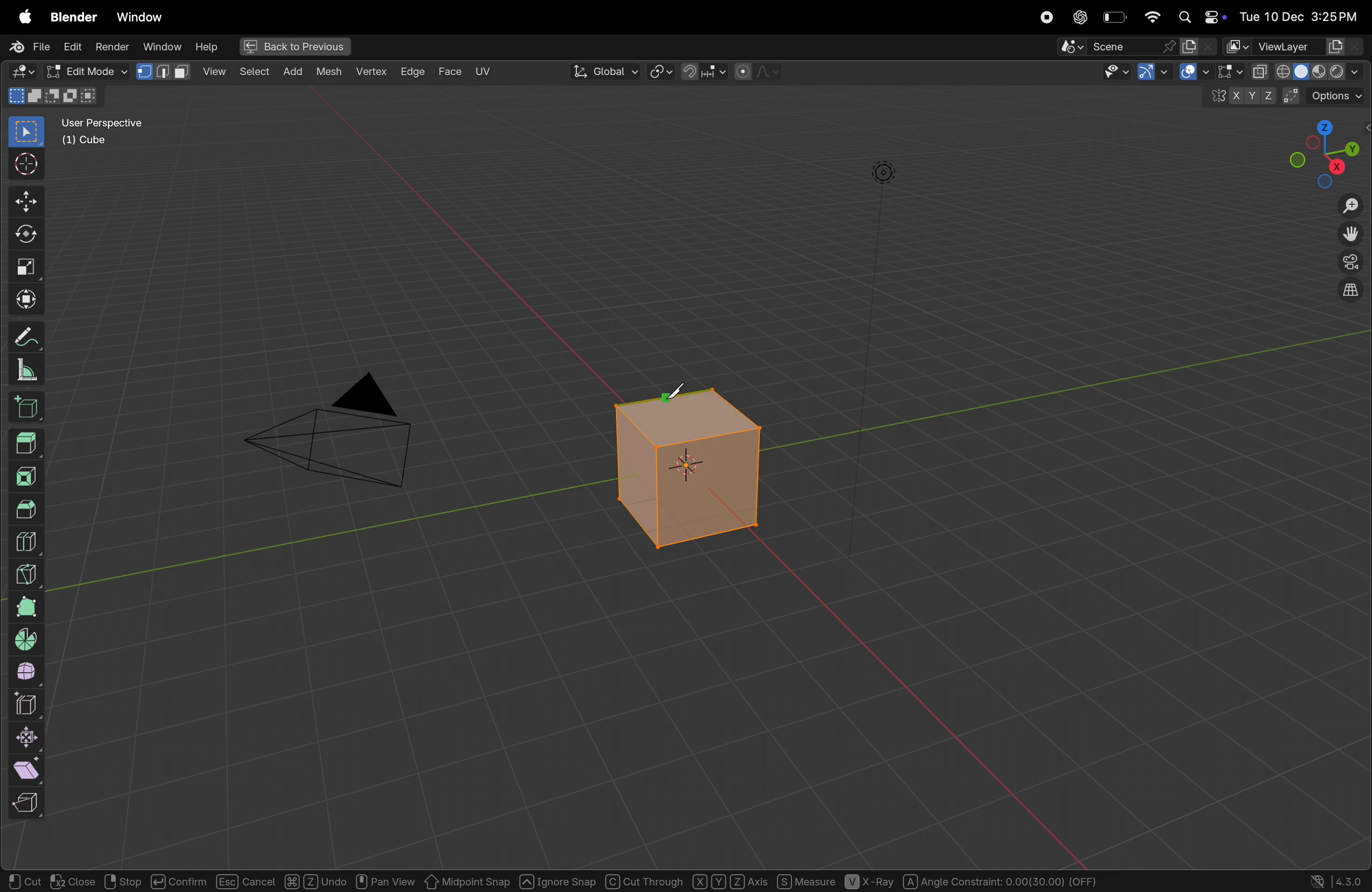  Describe the element at coordinates (22, 300) in the screenshot. I see `transform` at that location.